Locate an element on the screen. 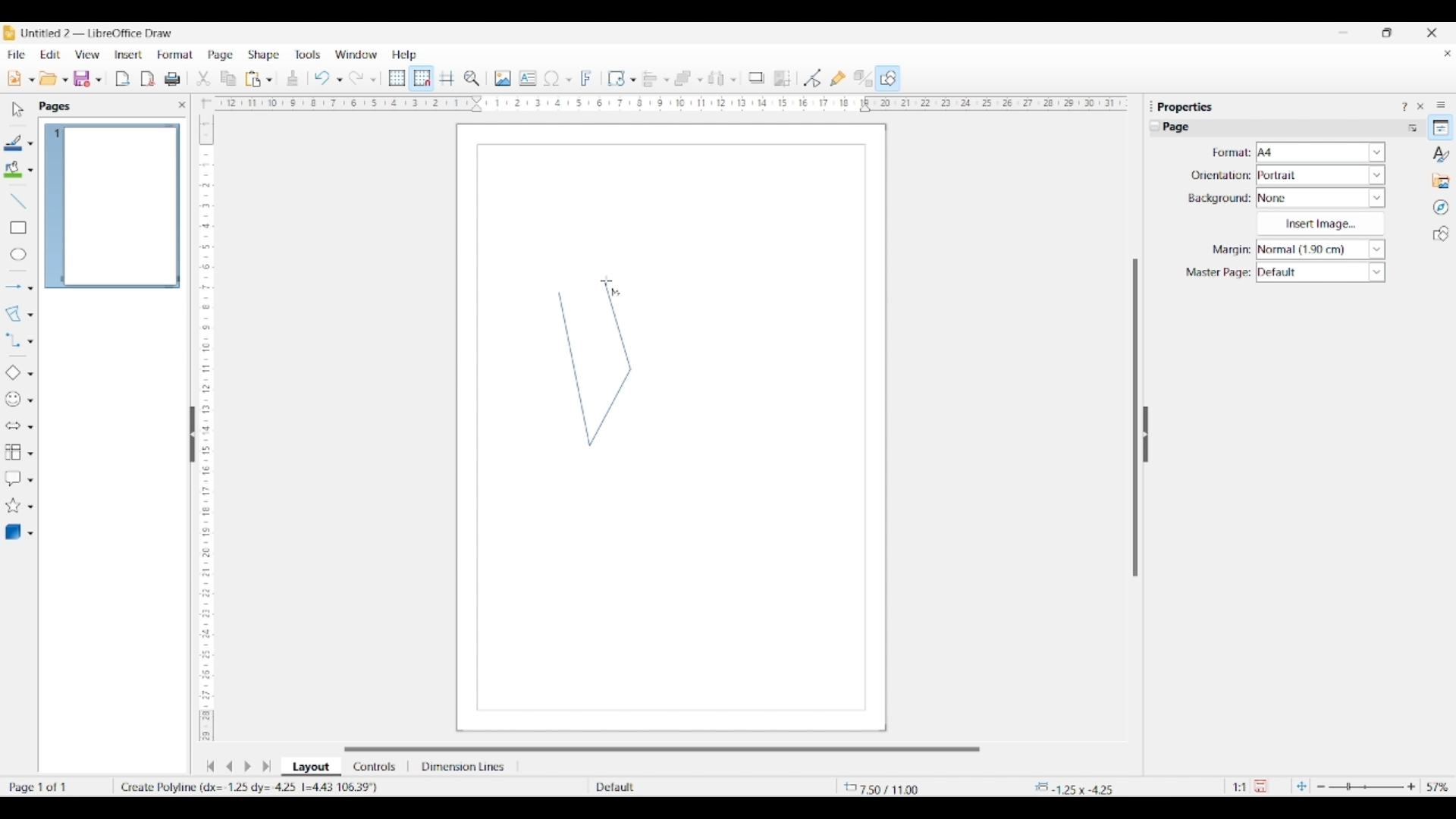 The height and width of the screenshot is (819, 1456). Symbol shape options is located at coordinates (30, 400).